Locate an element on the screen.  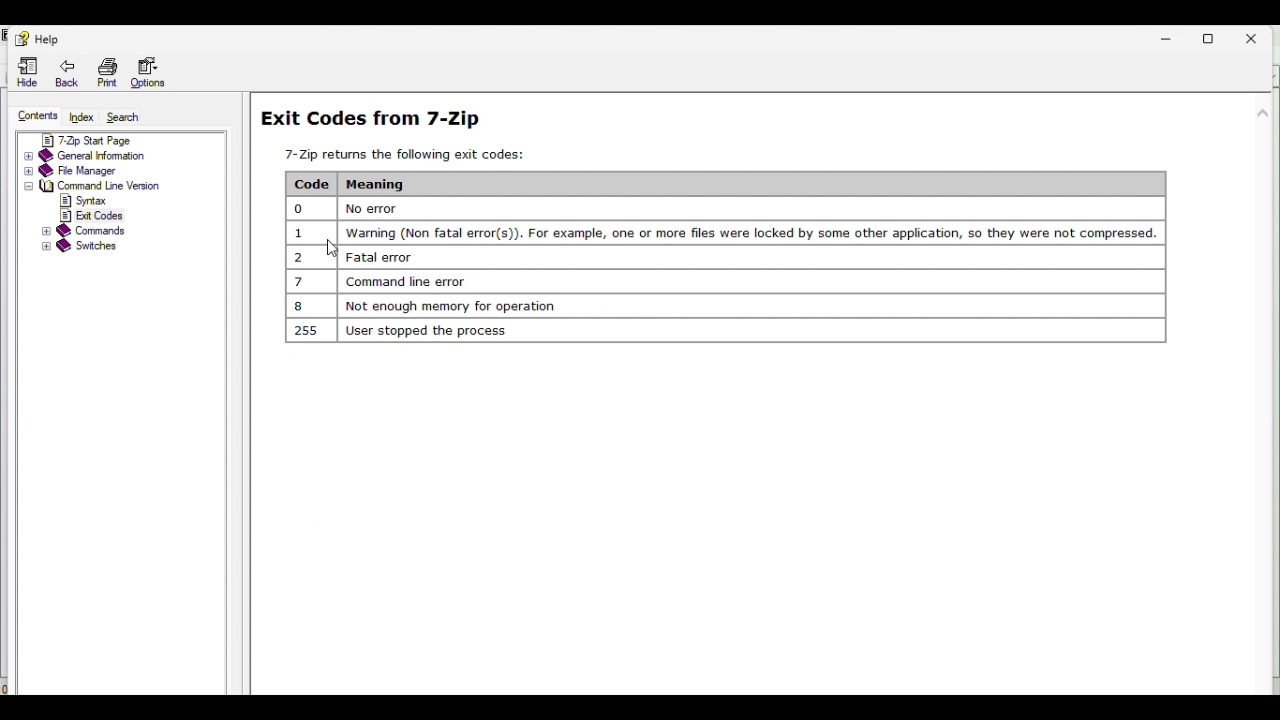
Contents is located at coordinates (35, 116).